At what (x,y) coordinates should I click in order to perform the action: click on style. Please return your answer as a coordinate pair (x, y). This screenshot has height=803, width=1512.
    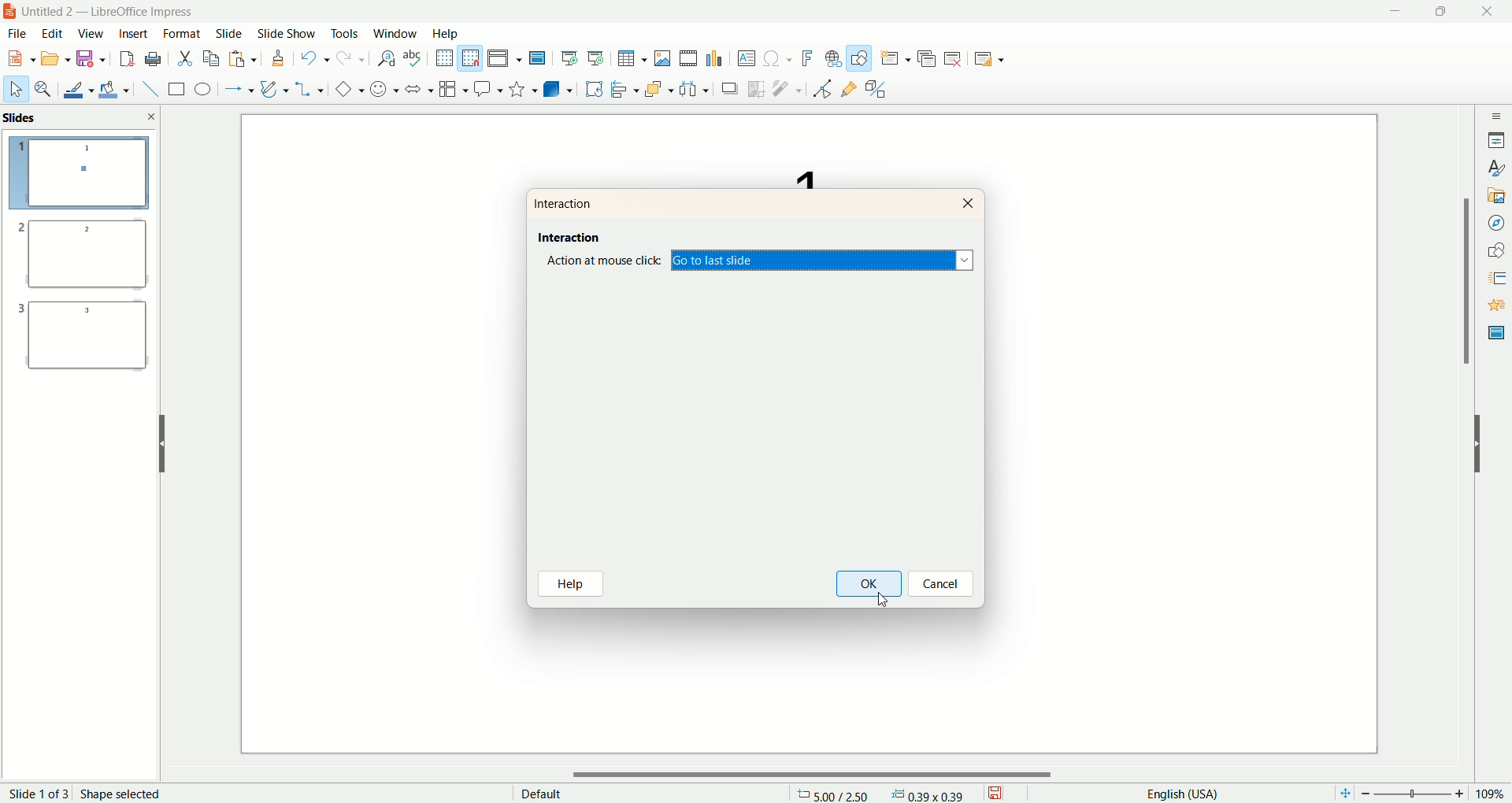
    Looking at the image, I should click on (1495, 168).